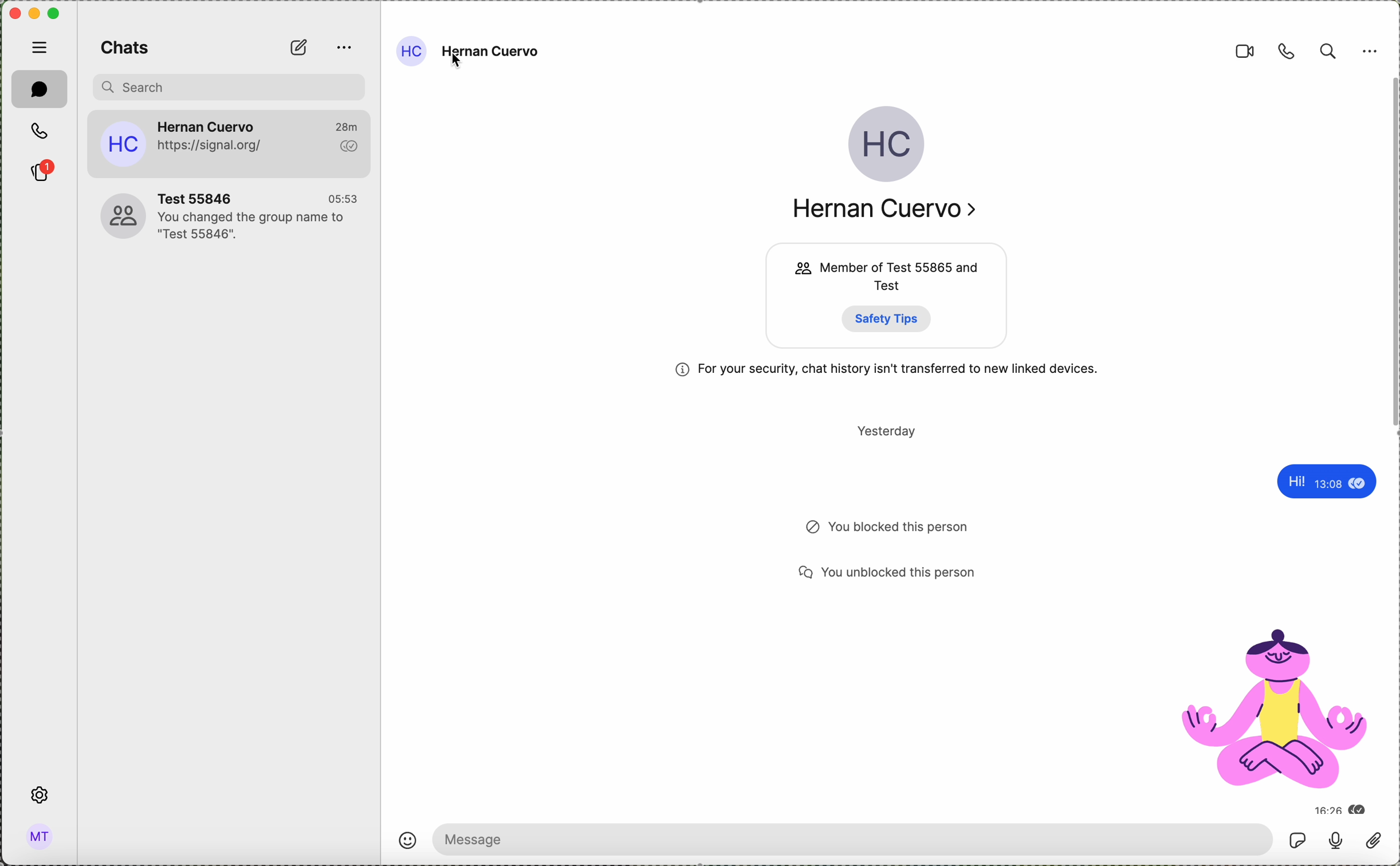  I want to click on For your security, chat history isn't transferred to new linked devices., so click(907, 368).